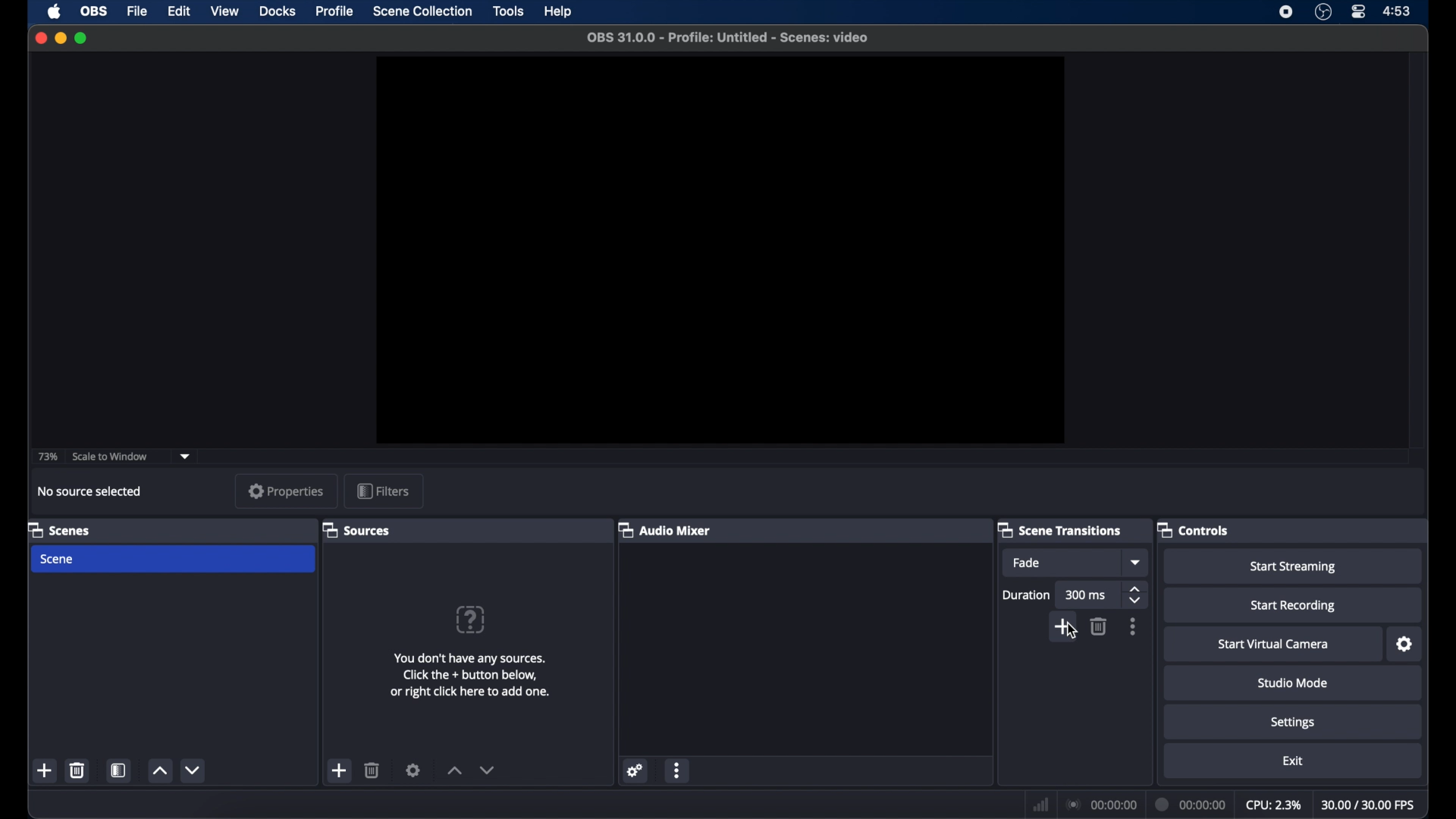  Describe the element at coordinates (58, 560) in the screenshot. I see `scene` at that location.